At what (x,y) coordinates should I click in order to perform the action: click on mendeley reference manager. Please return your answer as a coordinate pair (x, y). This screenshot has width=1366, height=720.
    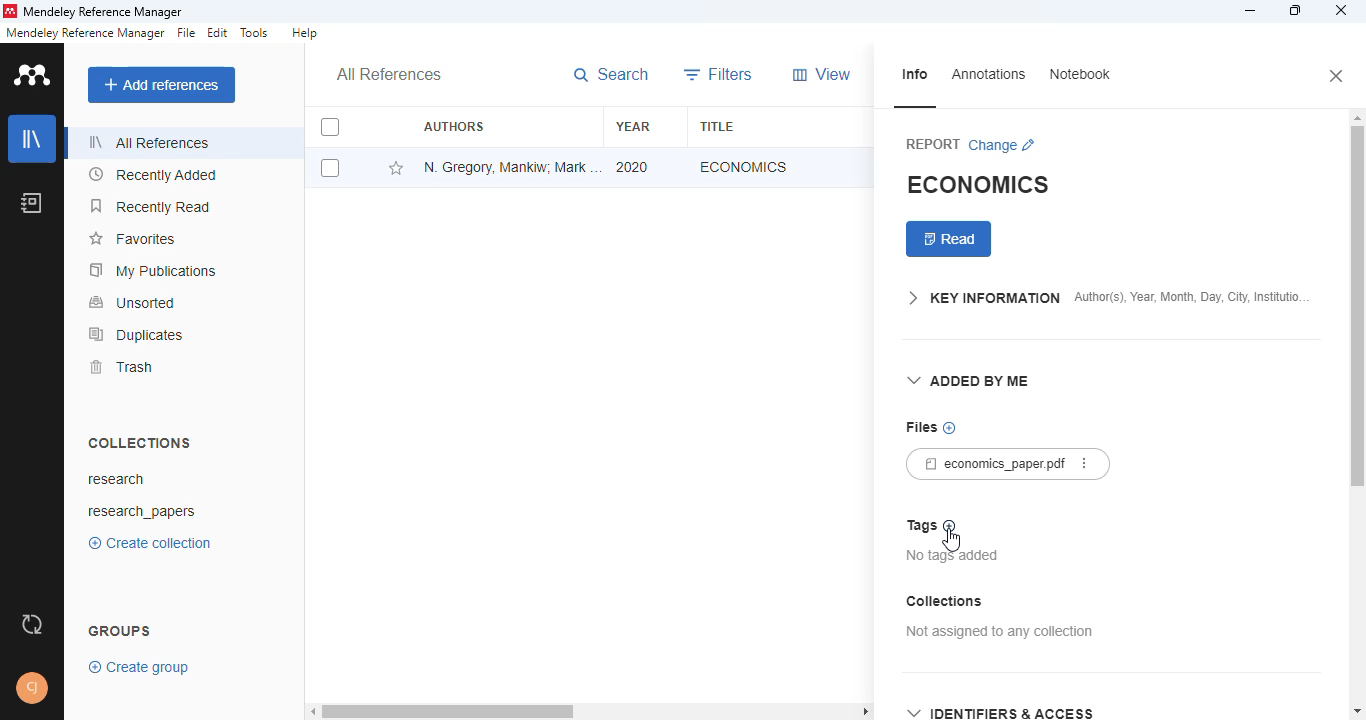
    Looking at the image, I should click on (85, 32).